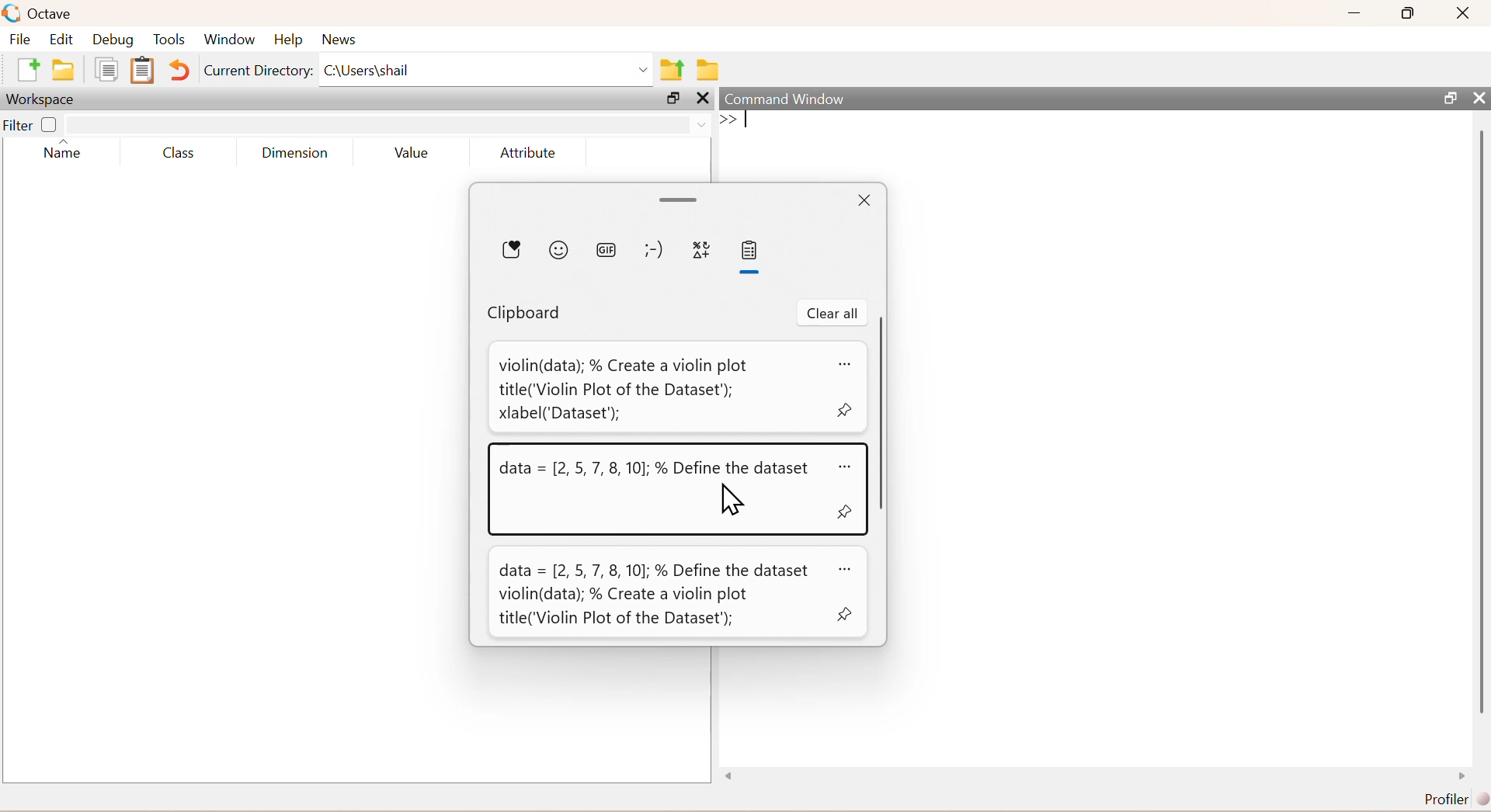  Describe the element at coordinates (833, 313) in the screenshot. I see `Clear all` at that location.